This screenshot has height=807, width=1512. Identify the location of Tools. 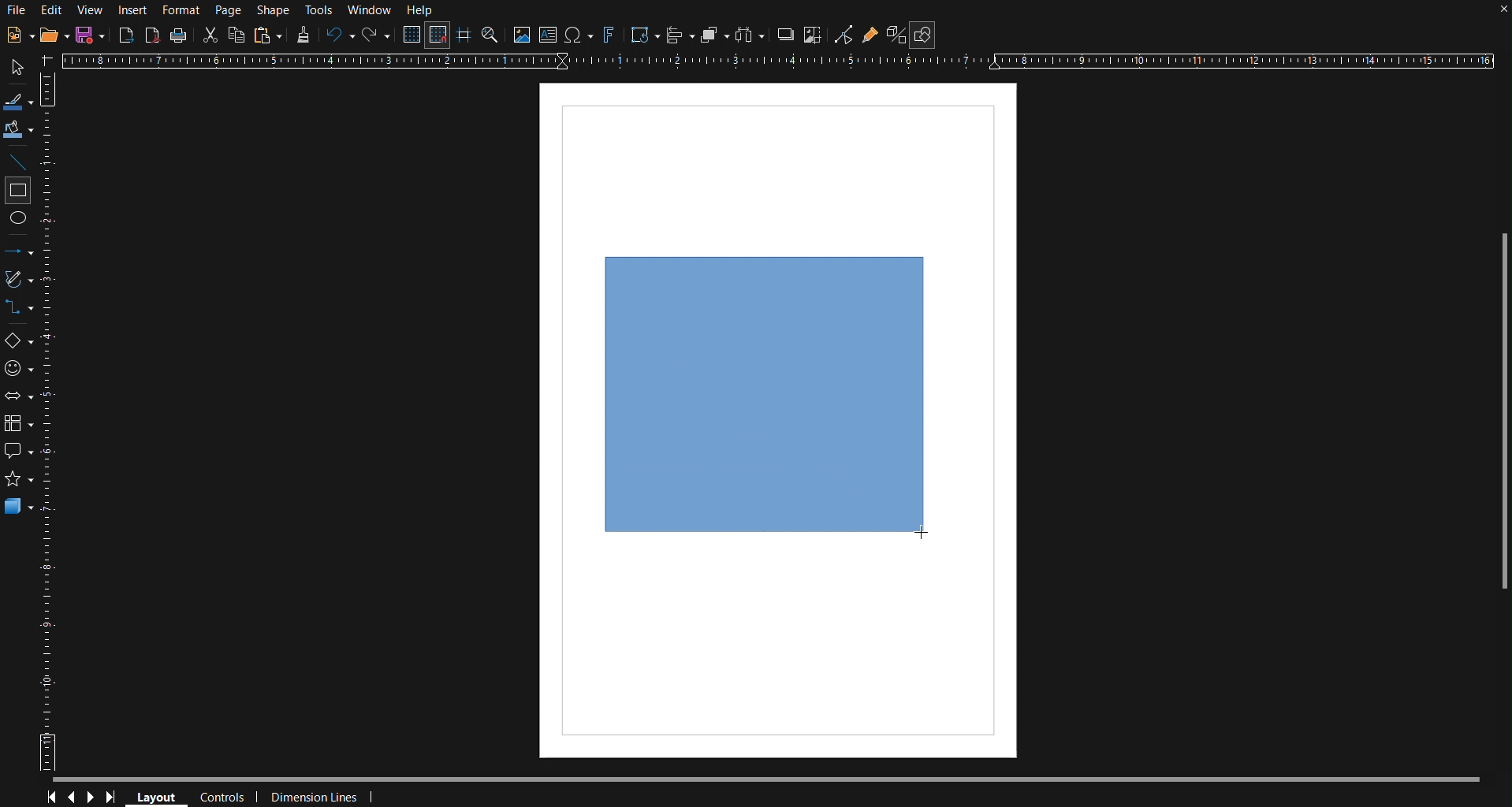
(321, 11).